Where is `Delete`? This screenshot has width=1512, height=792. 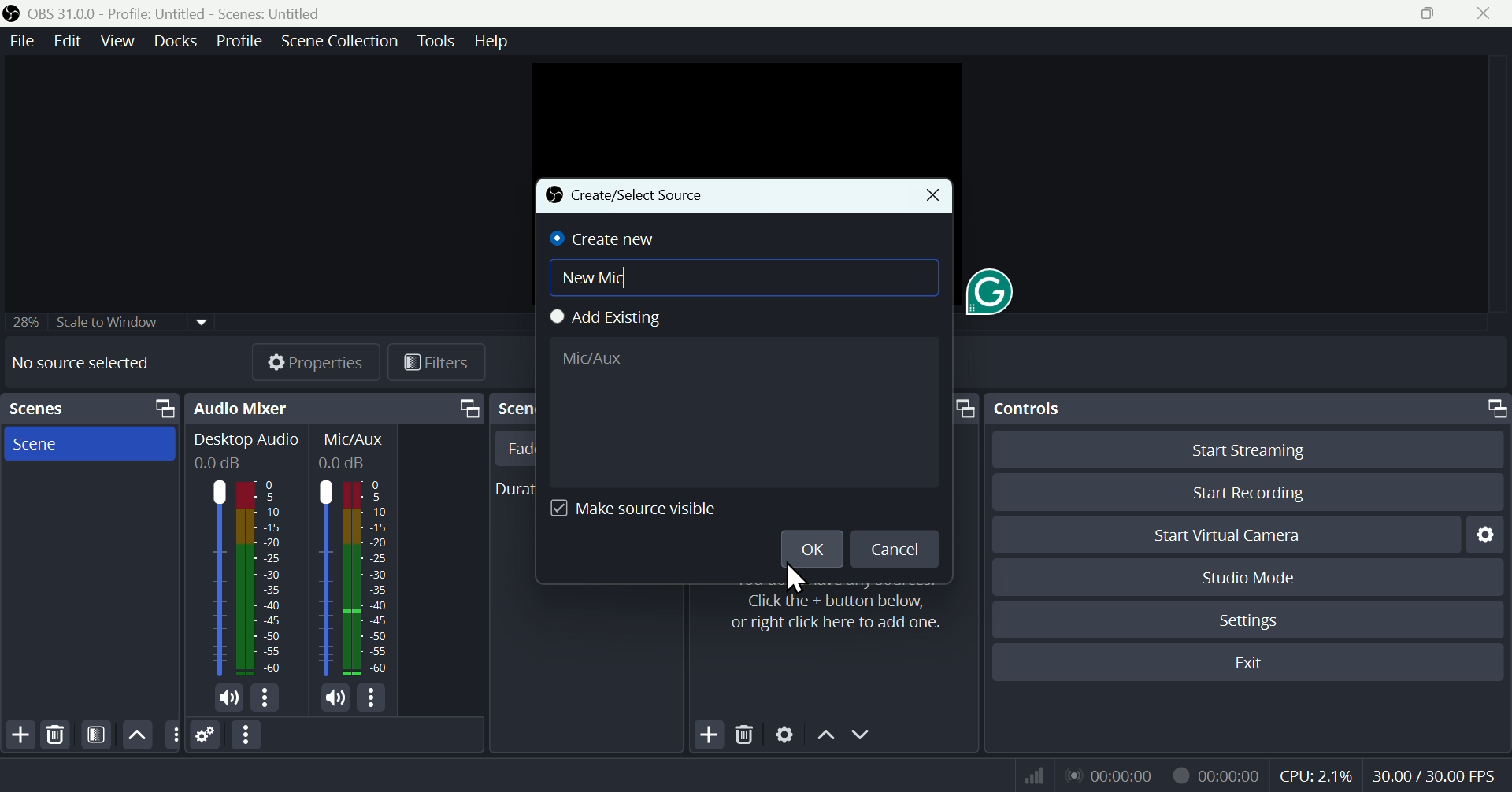 Delete is located at coordinates (55, 735).